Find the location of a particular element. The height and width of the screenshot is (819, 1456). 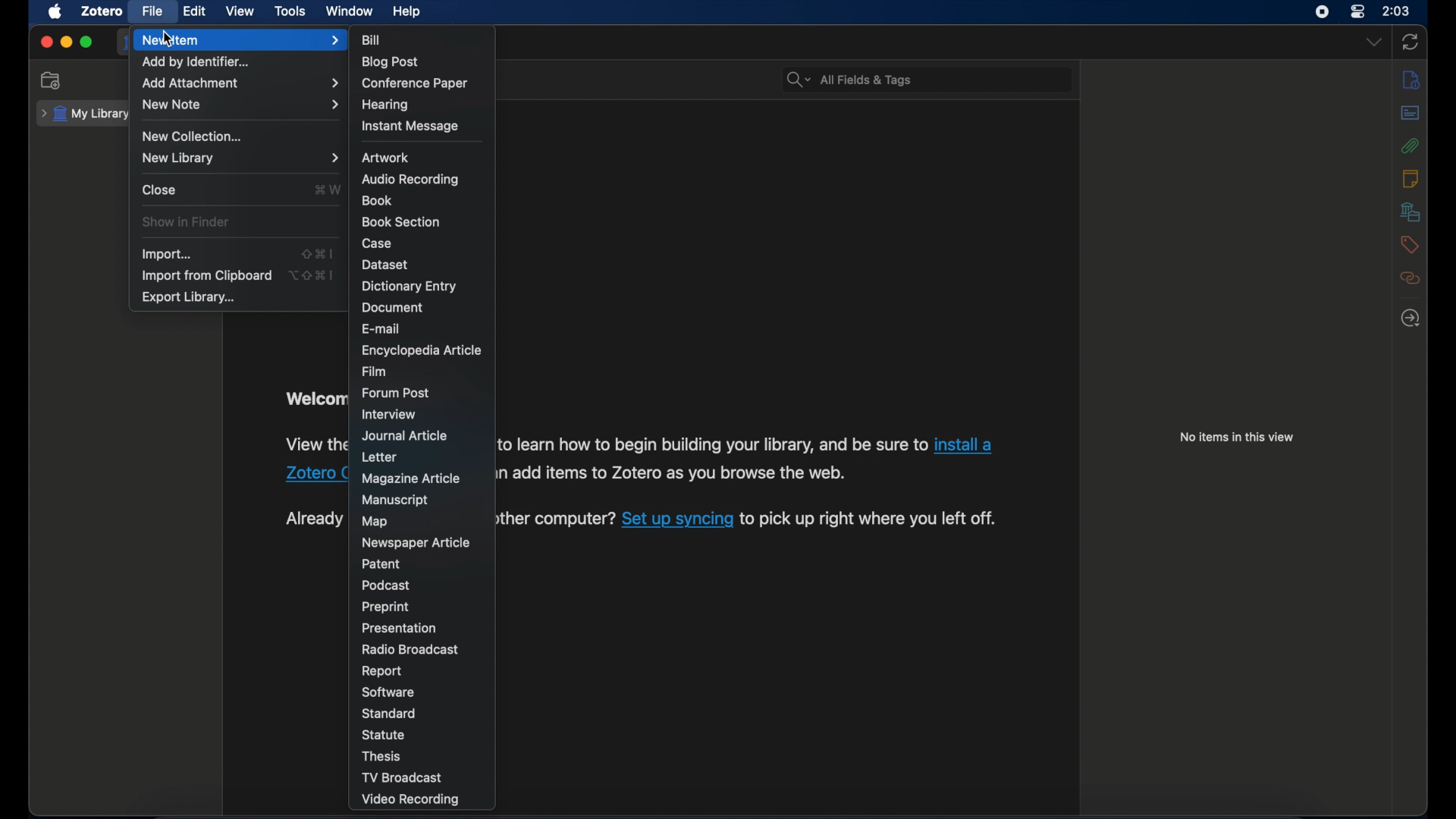

related is located at coordinates (1410, 278).